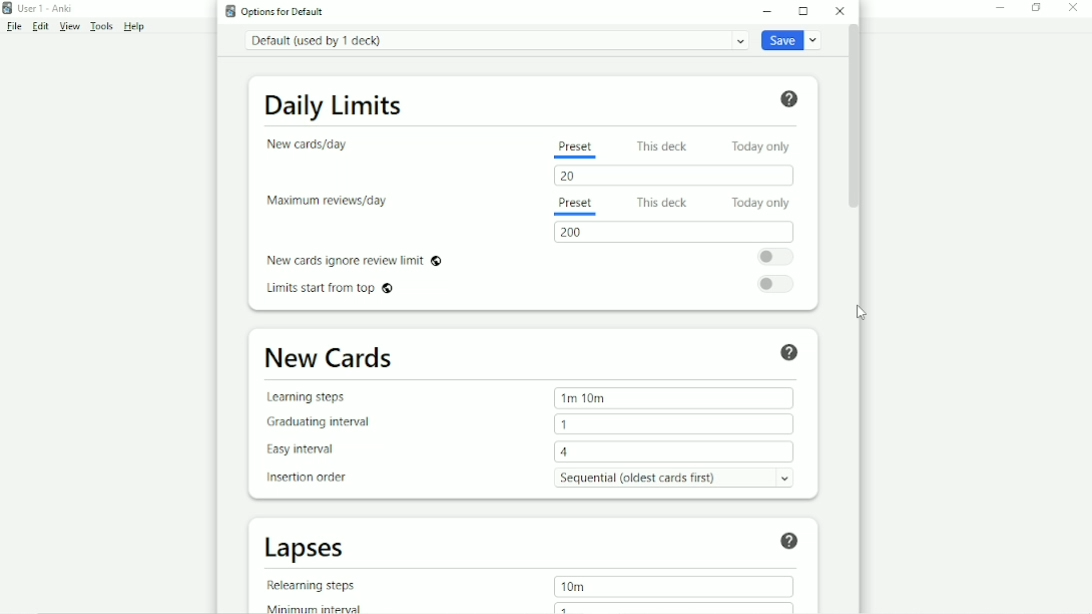  I want to click on Daily Limits, so click(335, 105).